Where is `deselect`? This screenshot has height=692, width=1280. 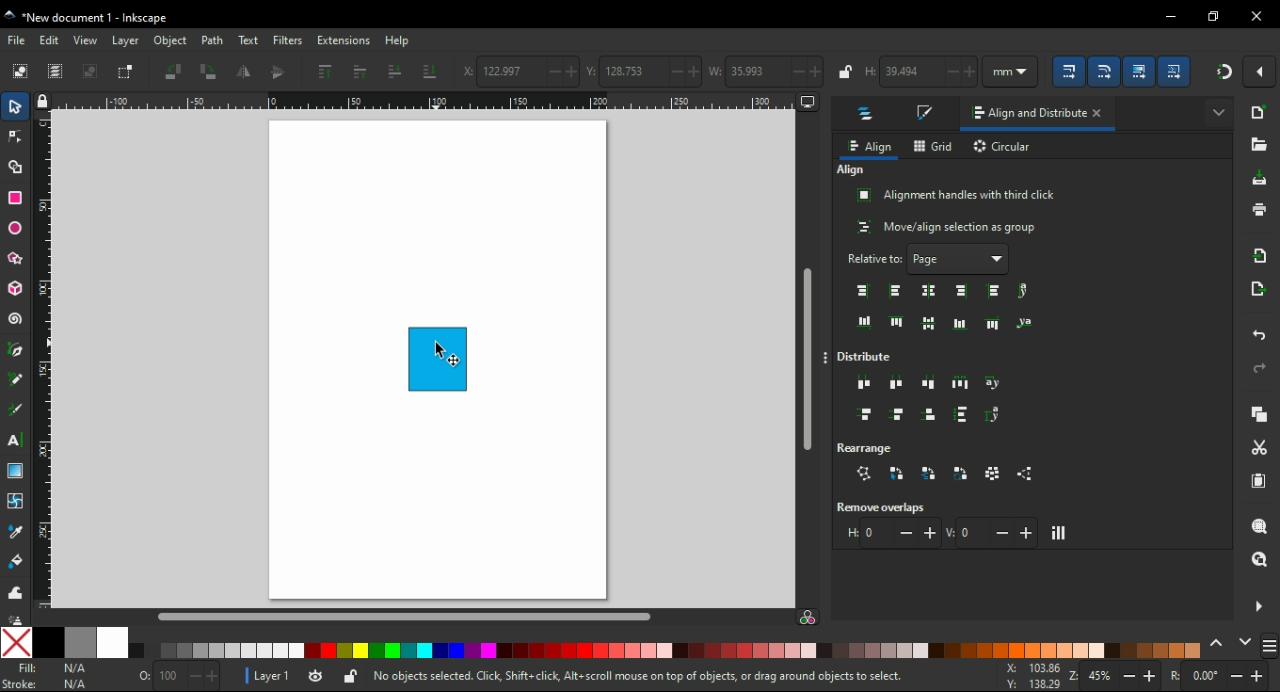
deselect is located at coordinates (91, 73).